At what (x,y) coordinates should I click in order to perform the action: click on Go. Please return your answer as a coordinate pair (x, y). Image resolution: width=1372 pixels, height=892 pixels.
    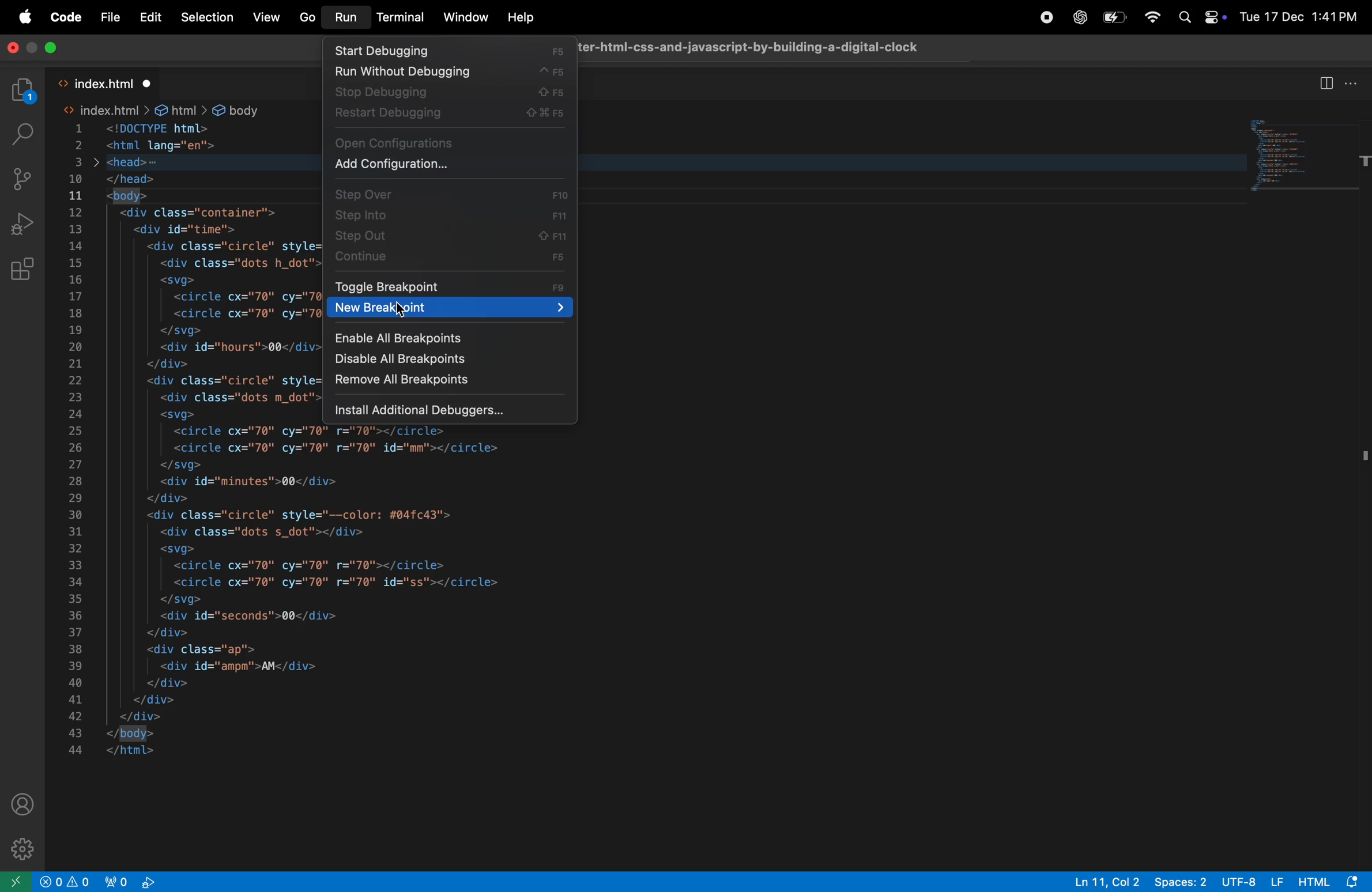
    Looking at the image, I should click on (307, 18).